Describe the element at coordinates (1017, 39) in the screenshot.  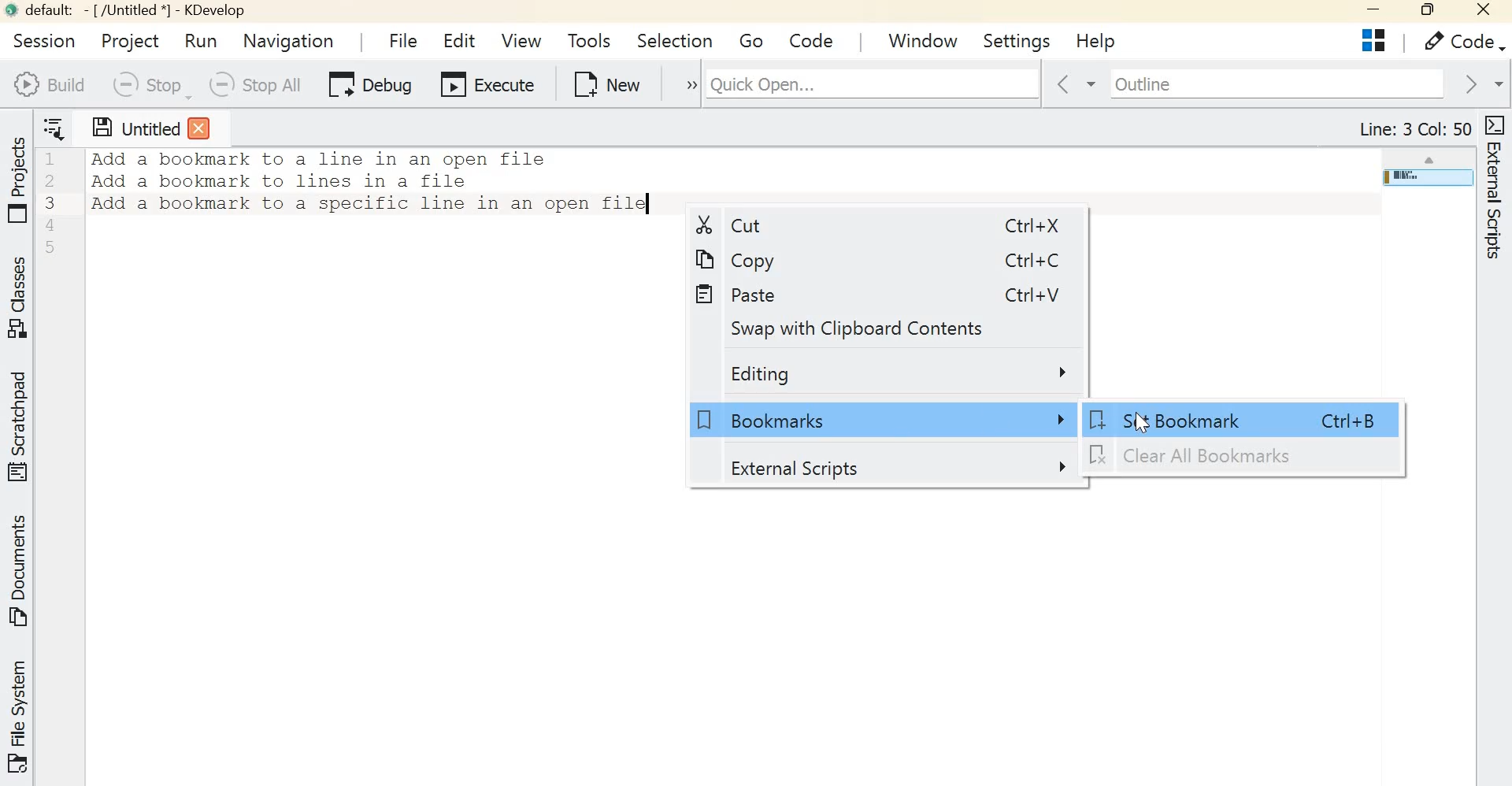
I see `Settings` at that location.